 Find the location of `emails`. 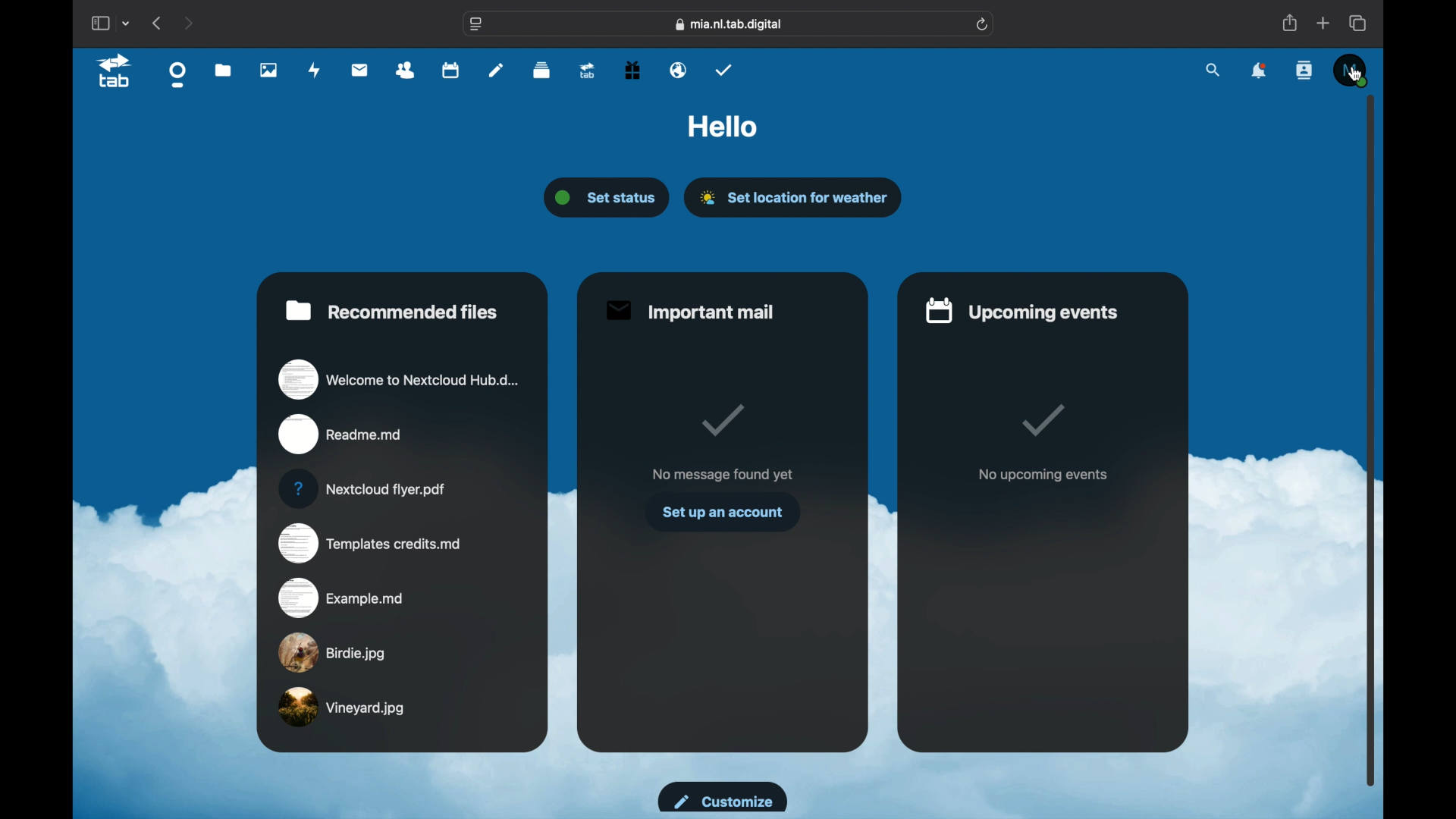

emails is located at coordinates (679, 71).